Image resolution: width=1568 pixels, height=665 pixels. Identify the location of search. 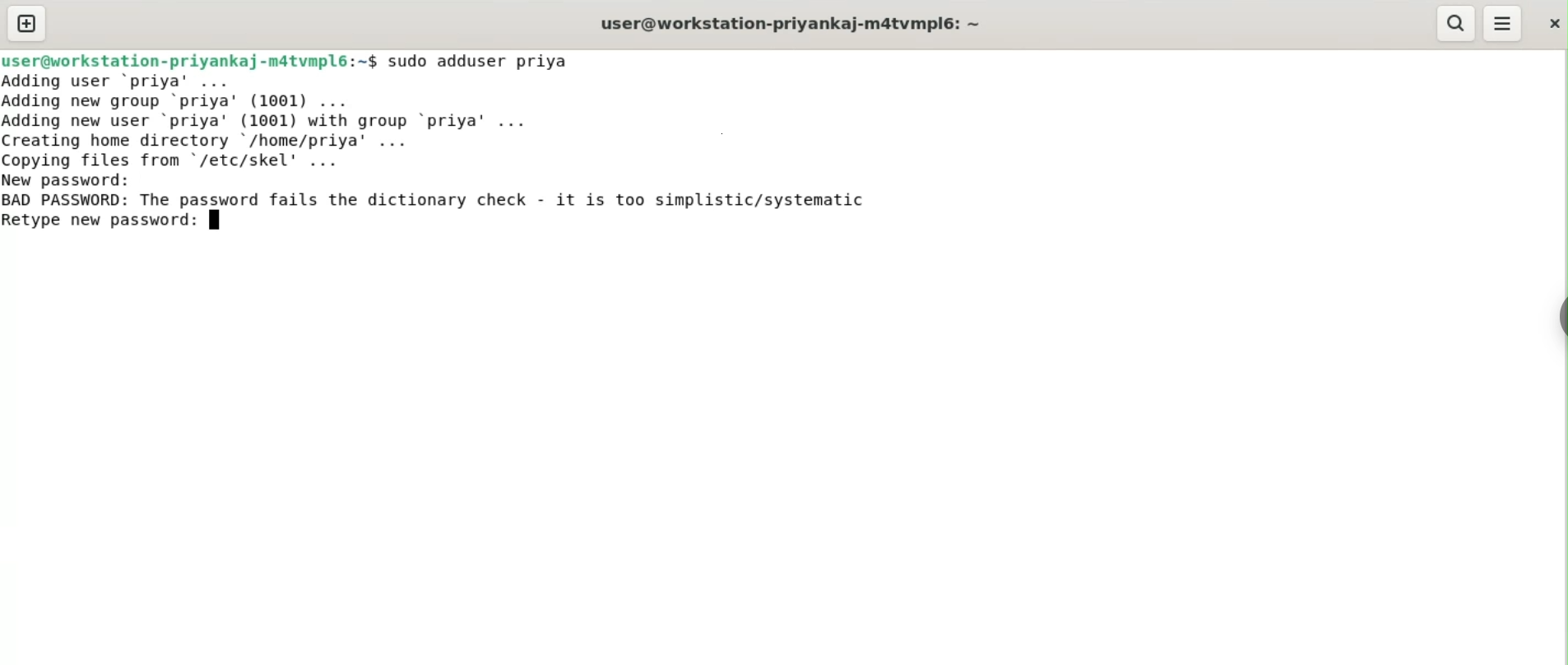
(1457, 24).